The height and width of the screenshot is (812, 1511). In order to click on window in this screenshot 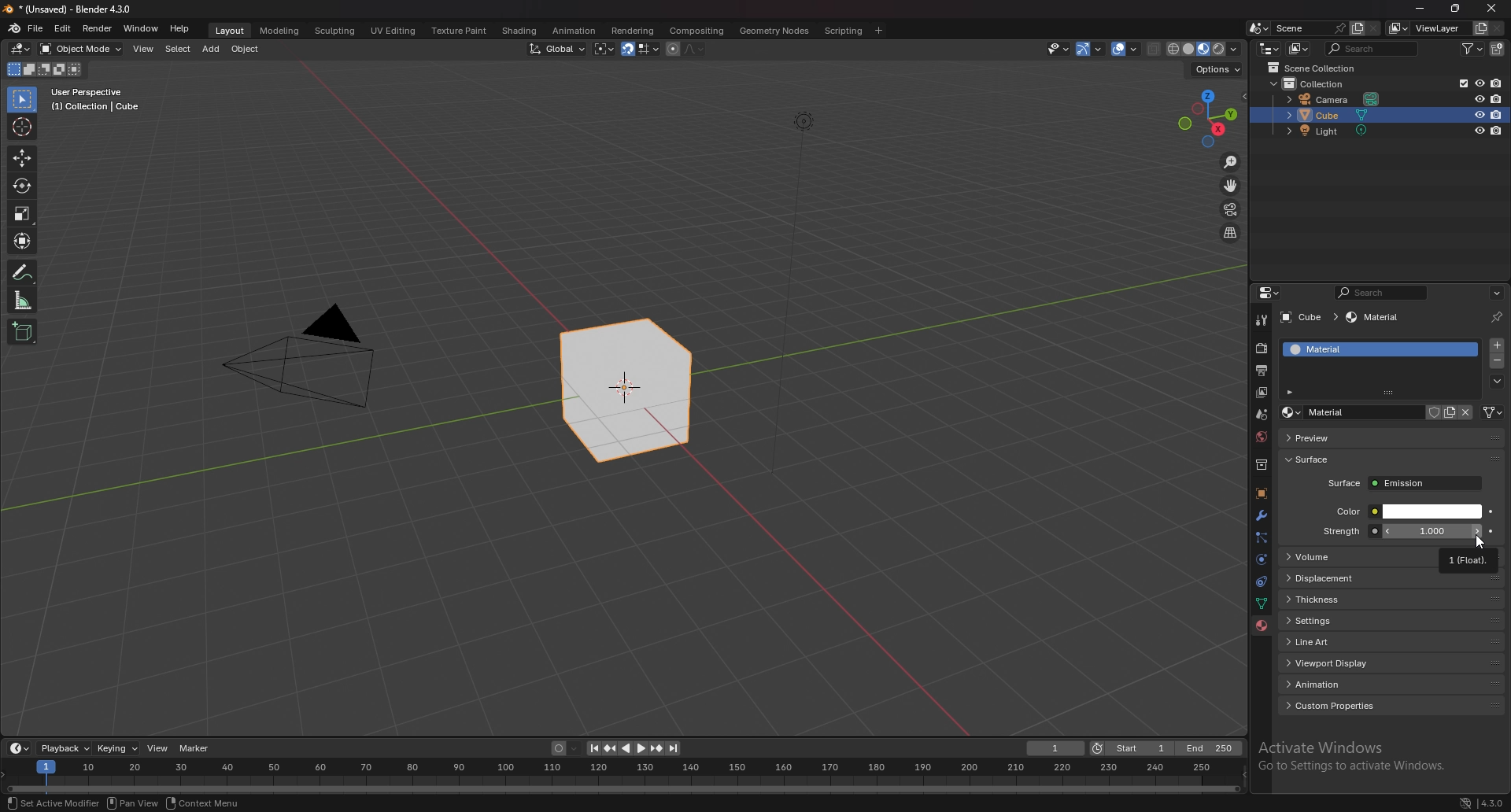, I will do `click(141, 28)`.